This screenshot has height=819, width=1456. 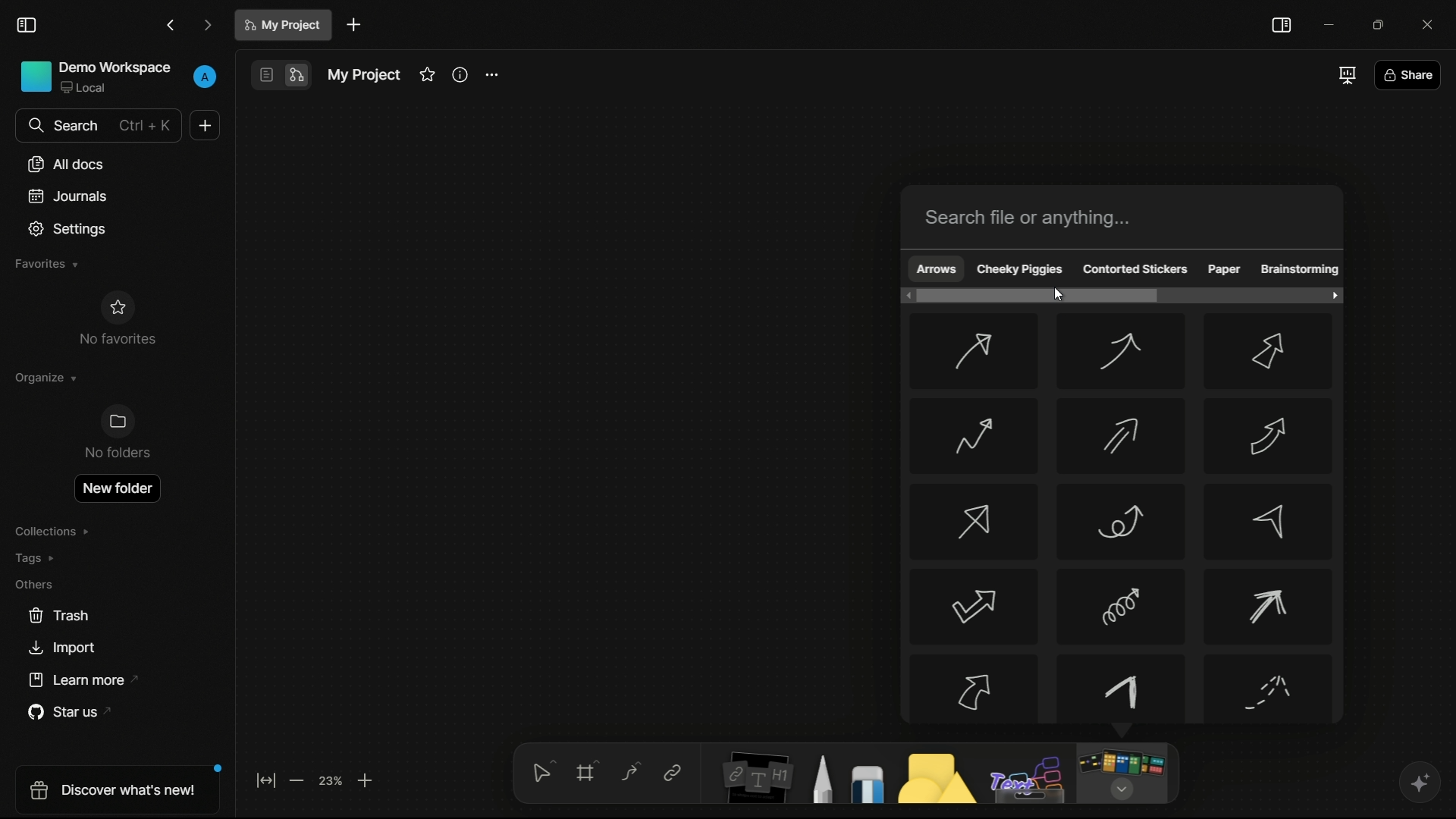 What do you see at coordinates (265, 75) in the screenshot?
I see `page mode` at bounding box center [265, 75].